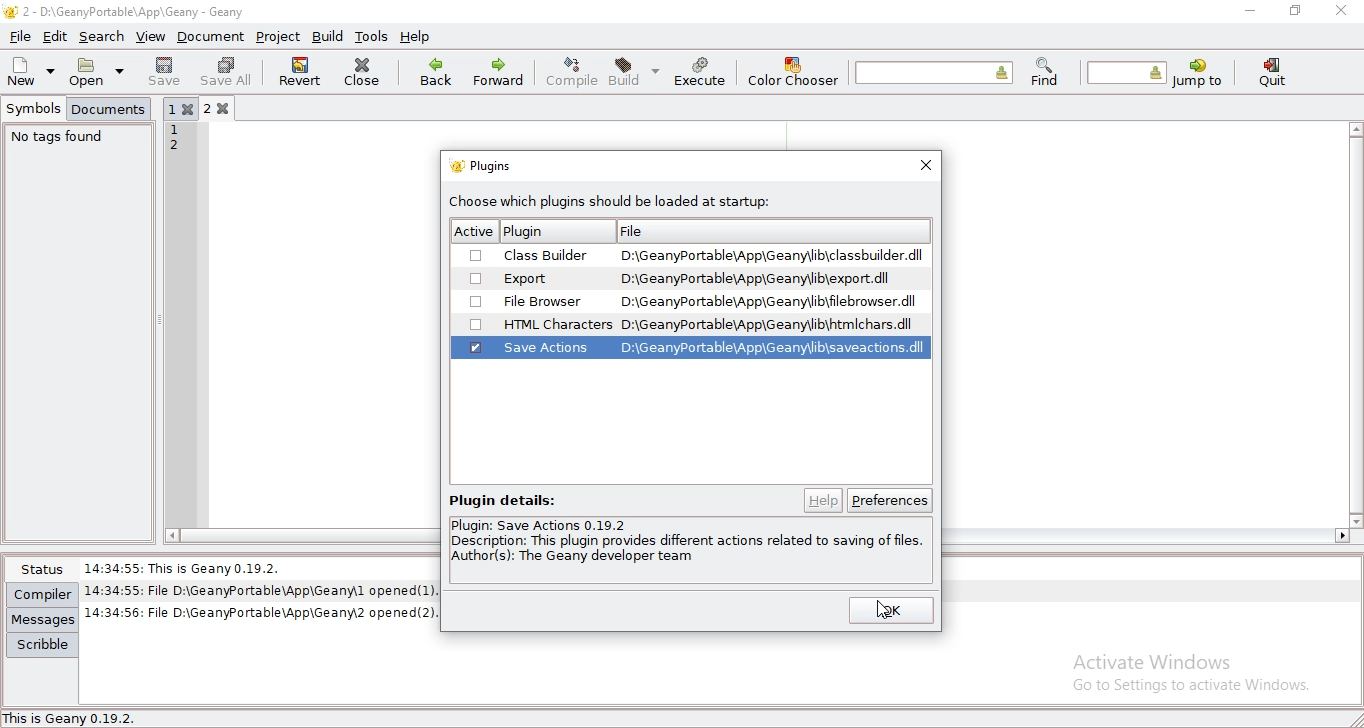  I want to click on jump to, so click(1196, 74).